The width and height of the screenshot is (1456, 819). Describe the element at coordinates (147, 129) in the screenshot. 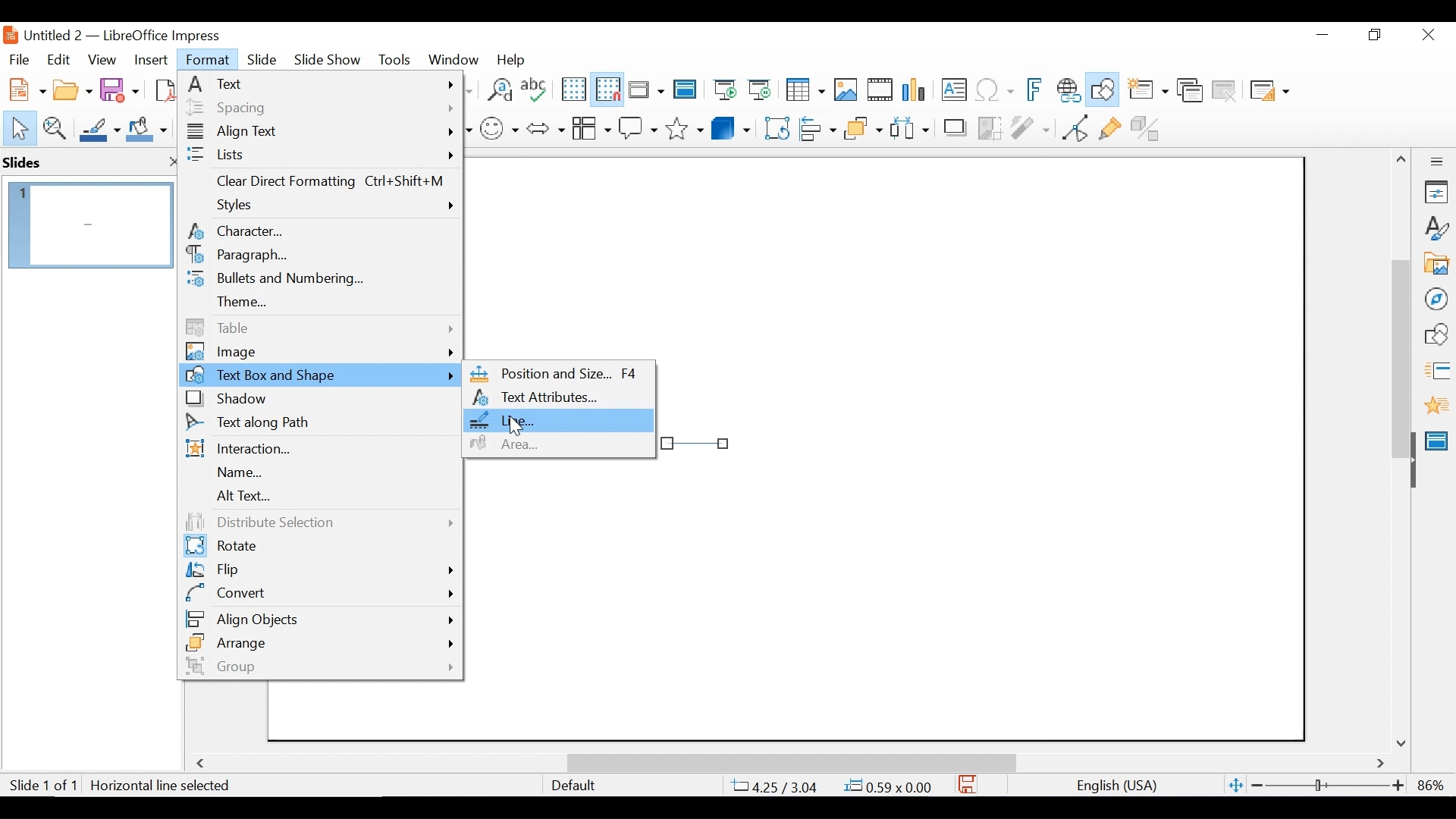

I see `Fill Color` at that location.